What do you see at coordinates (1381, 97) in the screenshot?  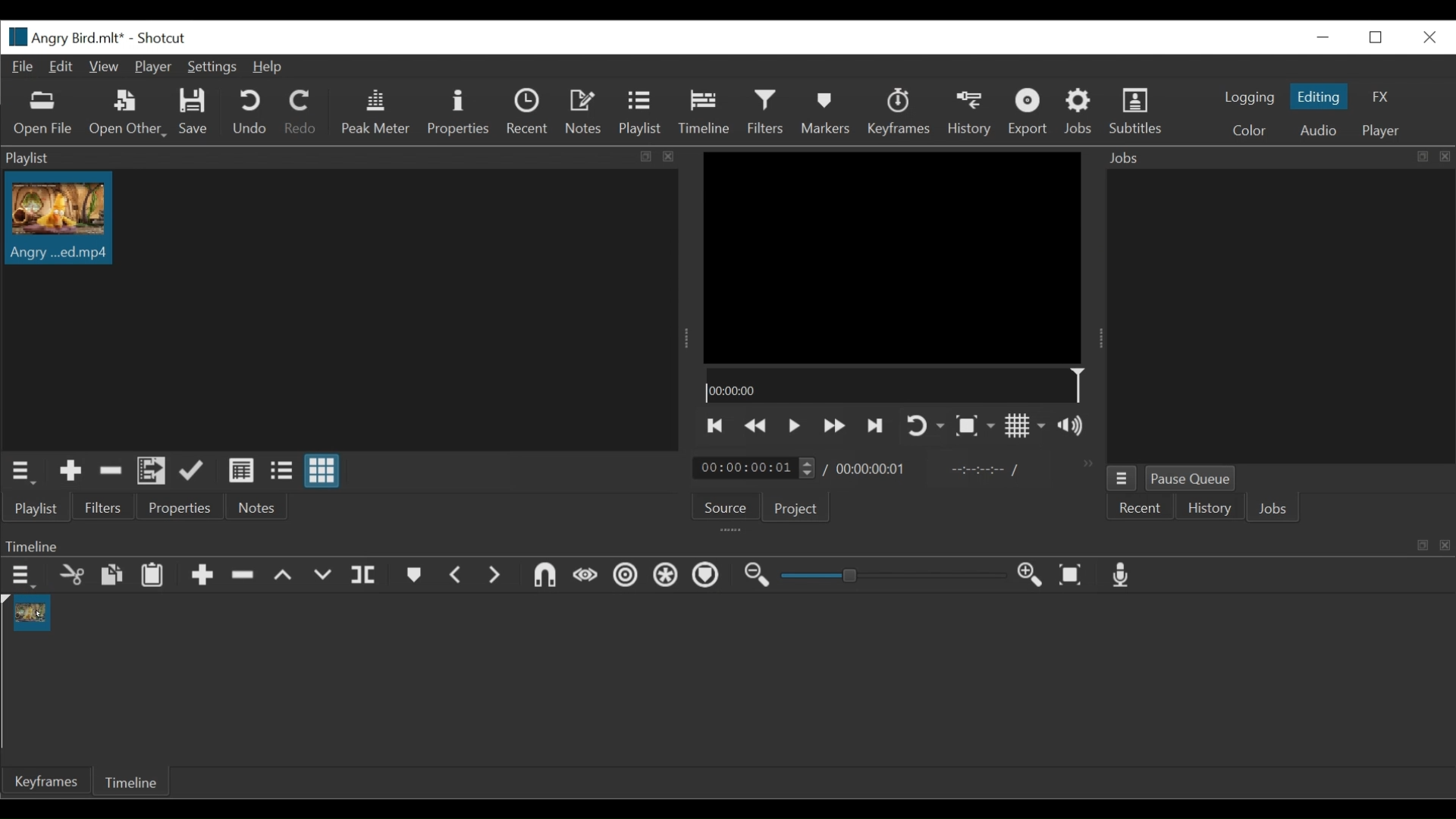 I see `FX` at bounding box center [1381, 97].